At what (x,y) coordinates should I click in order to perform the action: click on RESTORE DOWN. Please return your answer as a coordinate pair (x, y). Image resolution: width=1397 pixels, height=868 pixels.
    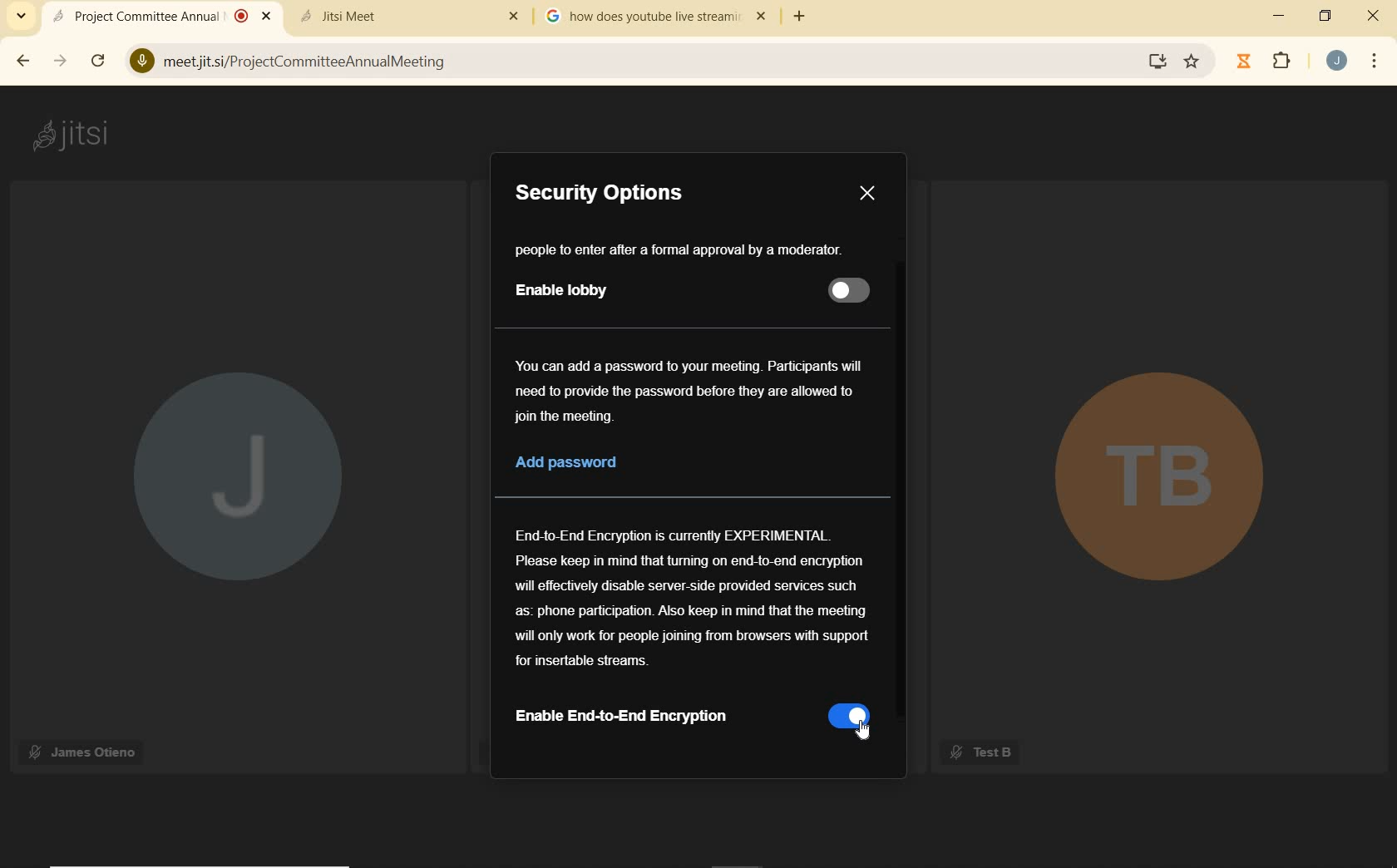
    Looking at the image, I should click on (1325, 16).